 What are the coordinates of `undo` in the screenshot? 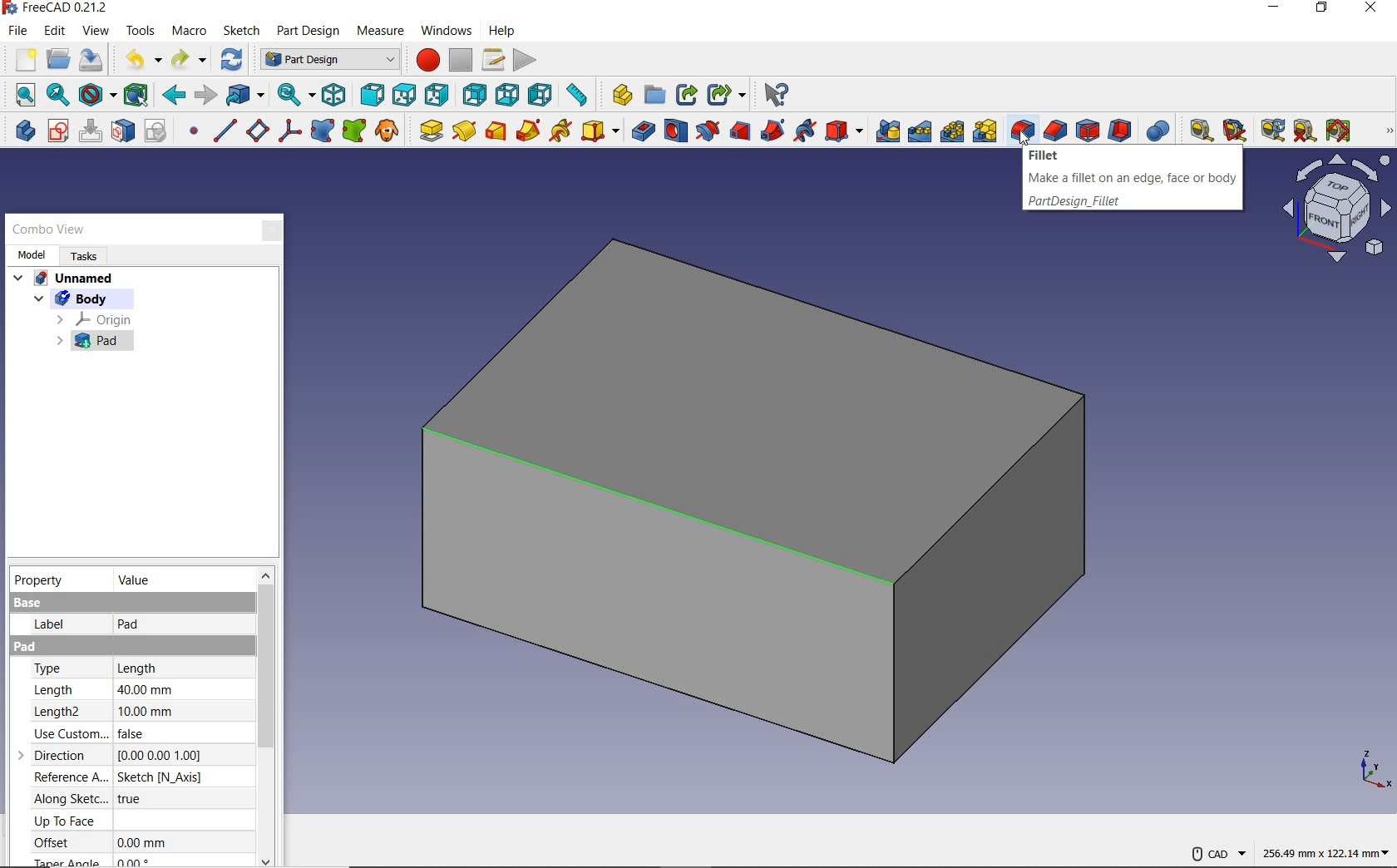 It's located at (140, 58).